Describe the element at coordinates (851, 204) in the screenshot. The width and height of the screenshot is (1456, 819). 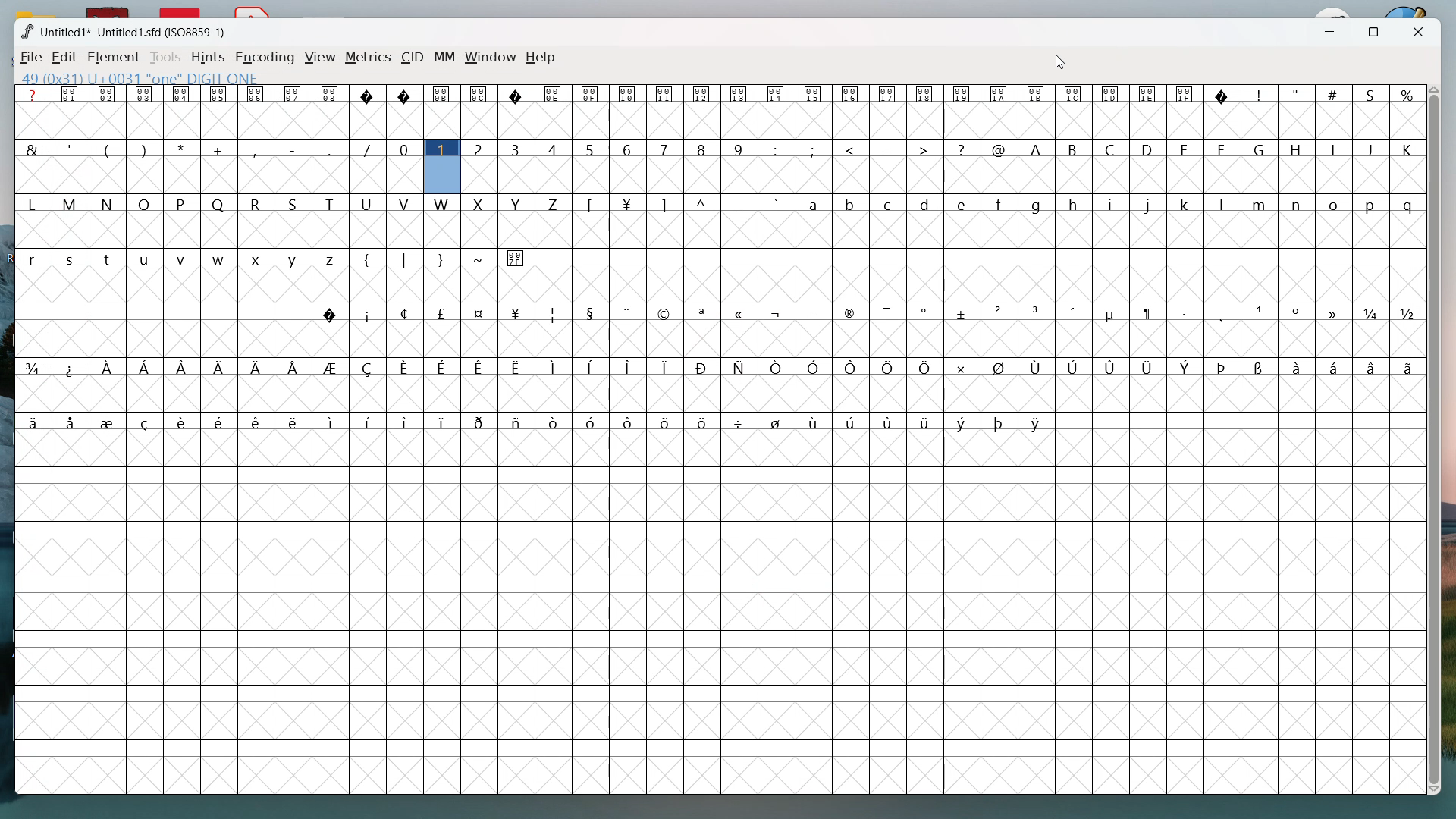
I see `b` at that location.